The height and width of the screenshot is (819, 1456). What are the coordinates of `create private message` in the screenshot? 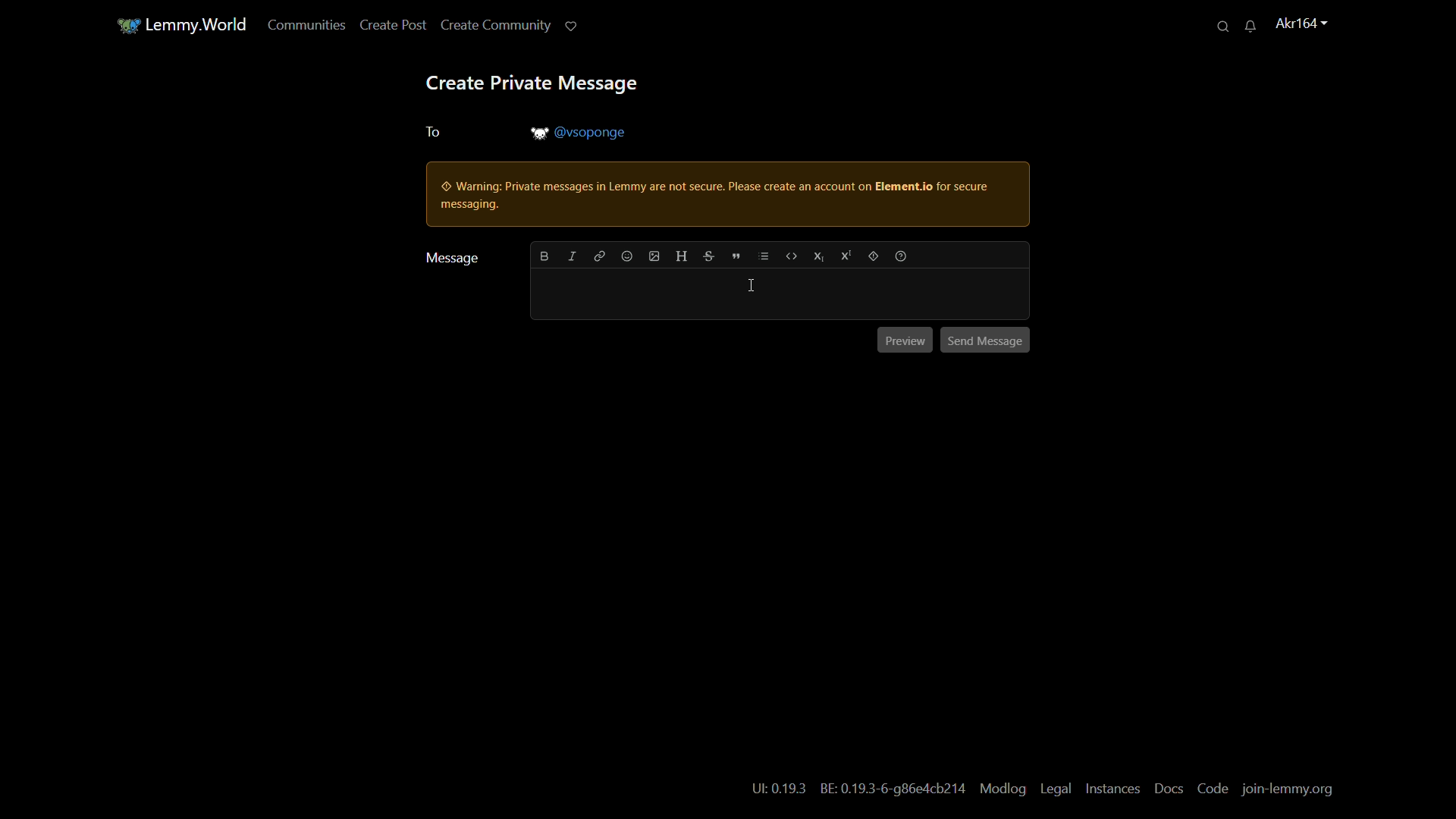 It's located at (532, 86).